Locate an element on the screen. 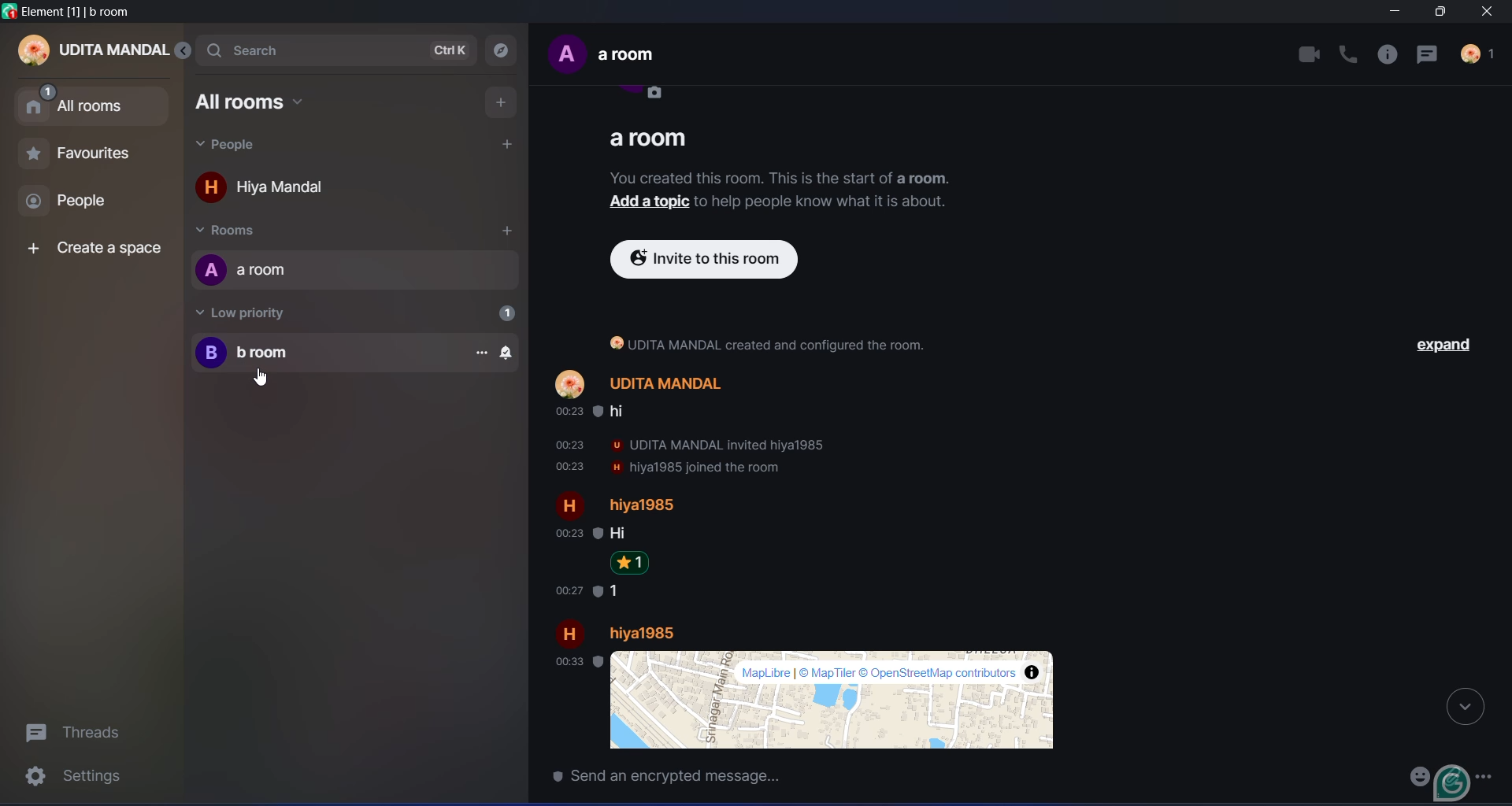  Ctrl K is located at coordinates (452, 50).